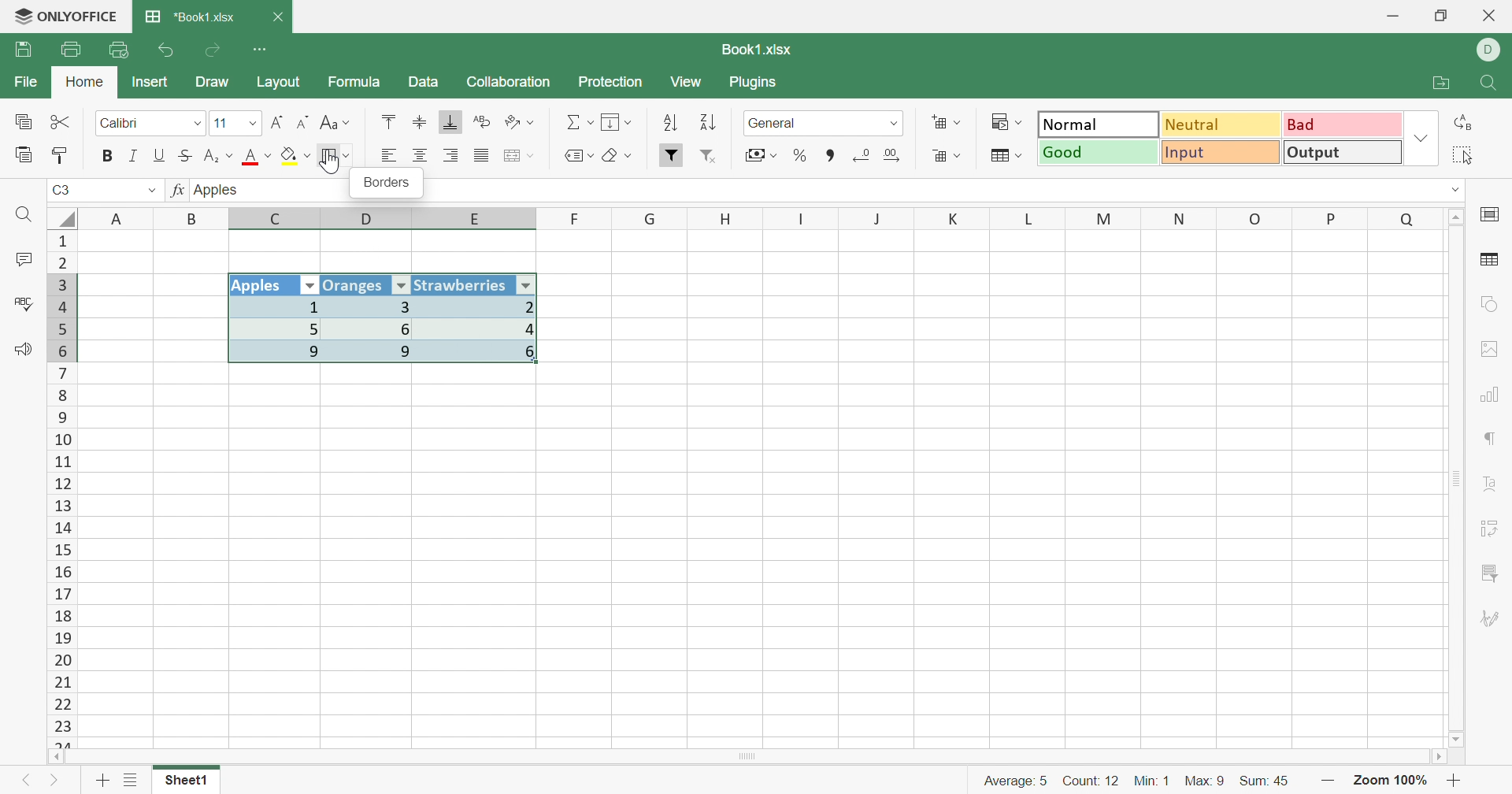 The height and width of the screenshot is (794, 1512). I want to click on Input, so click(1225, 154).